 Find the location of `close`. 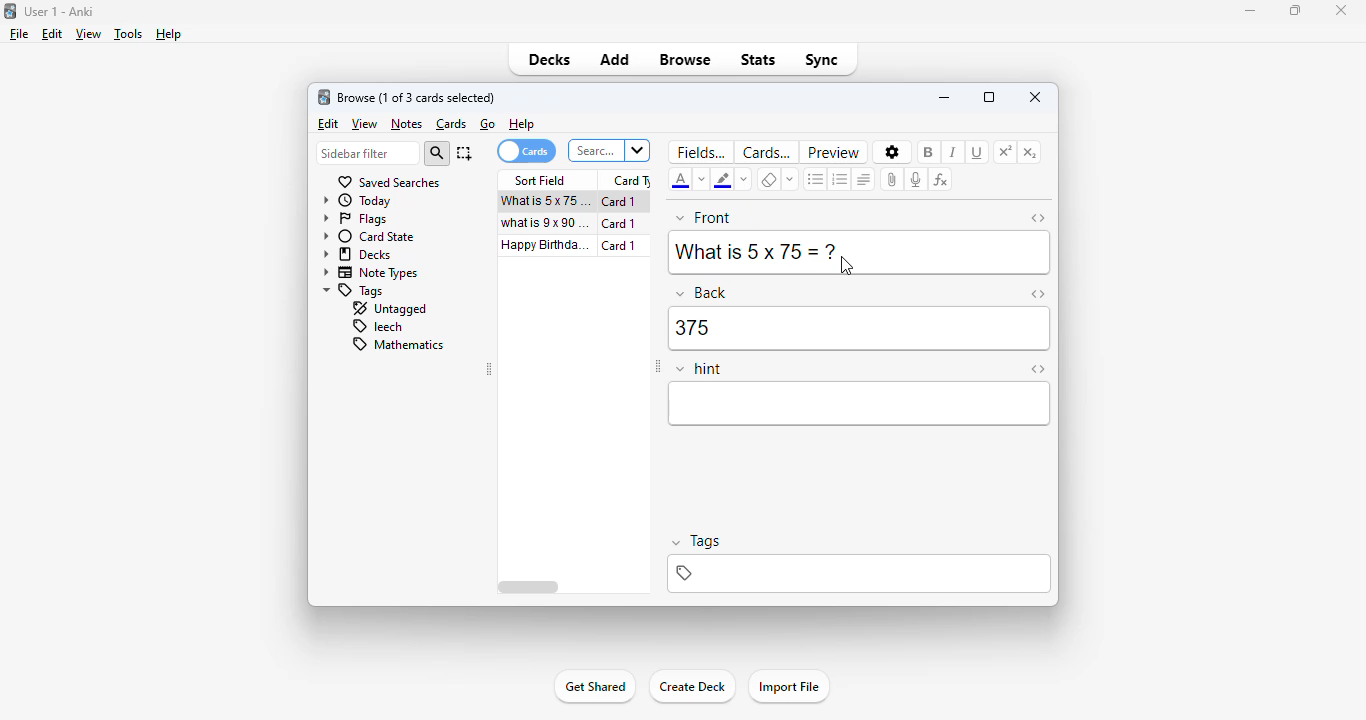

close is located at coordinates (1341, 11).